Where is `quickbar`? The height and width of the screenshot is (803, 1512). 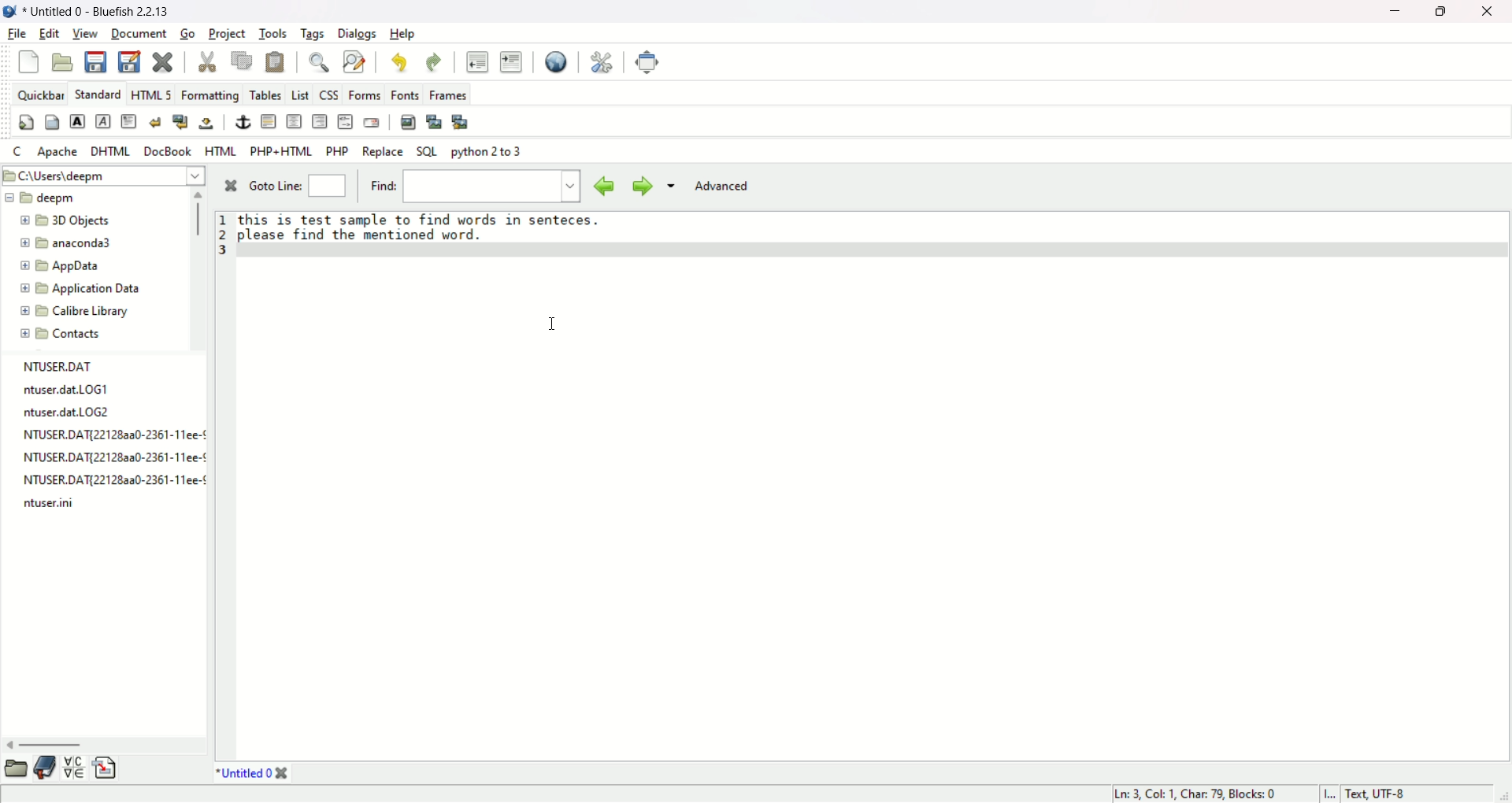 quickbar is located at coordinates (39, 92).